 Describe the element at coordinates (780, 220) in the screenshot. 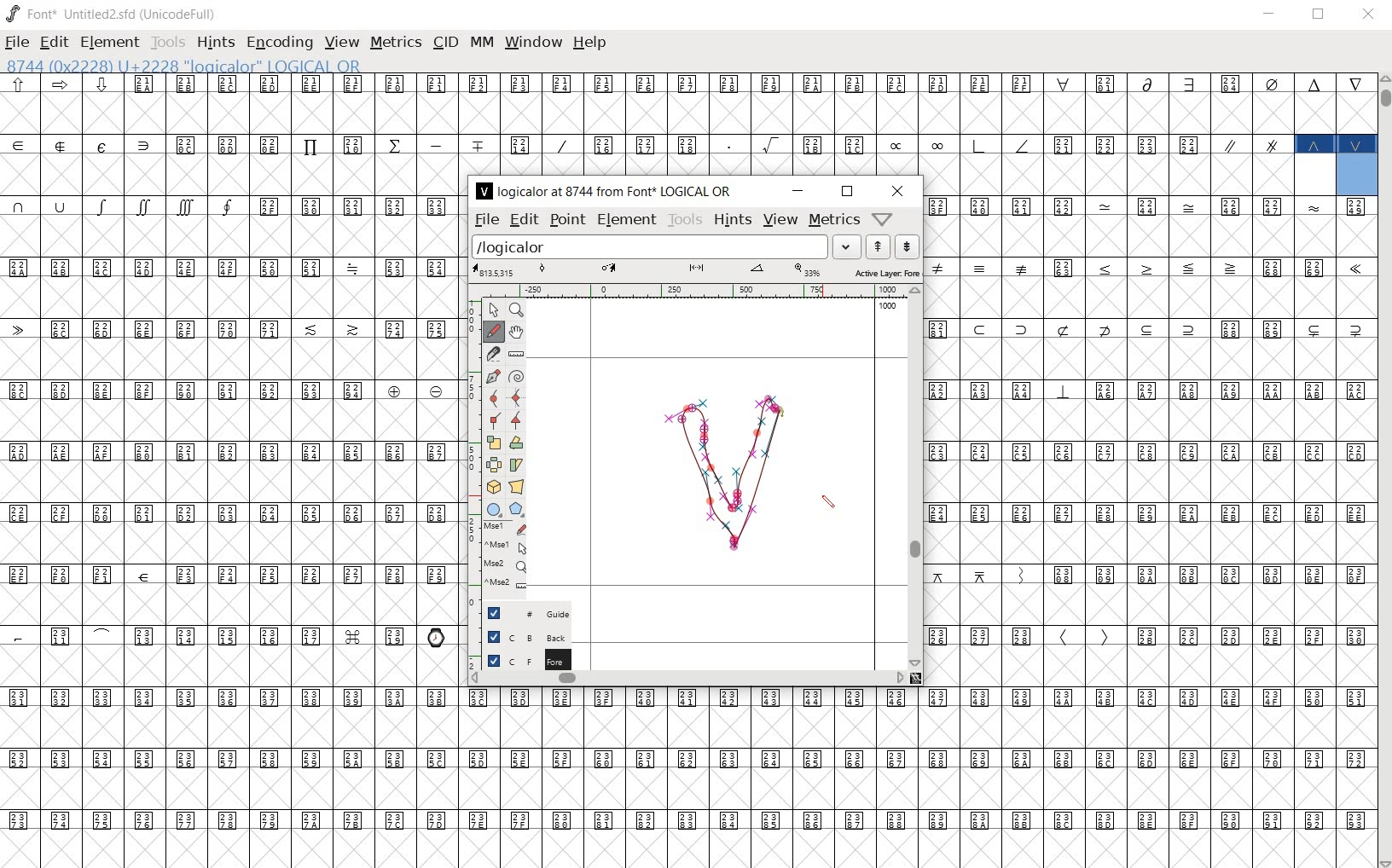

I see `view` at that location.